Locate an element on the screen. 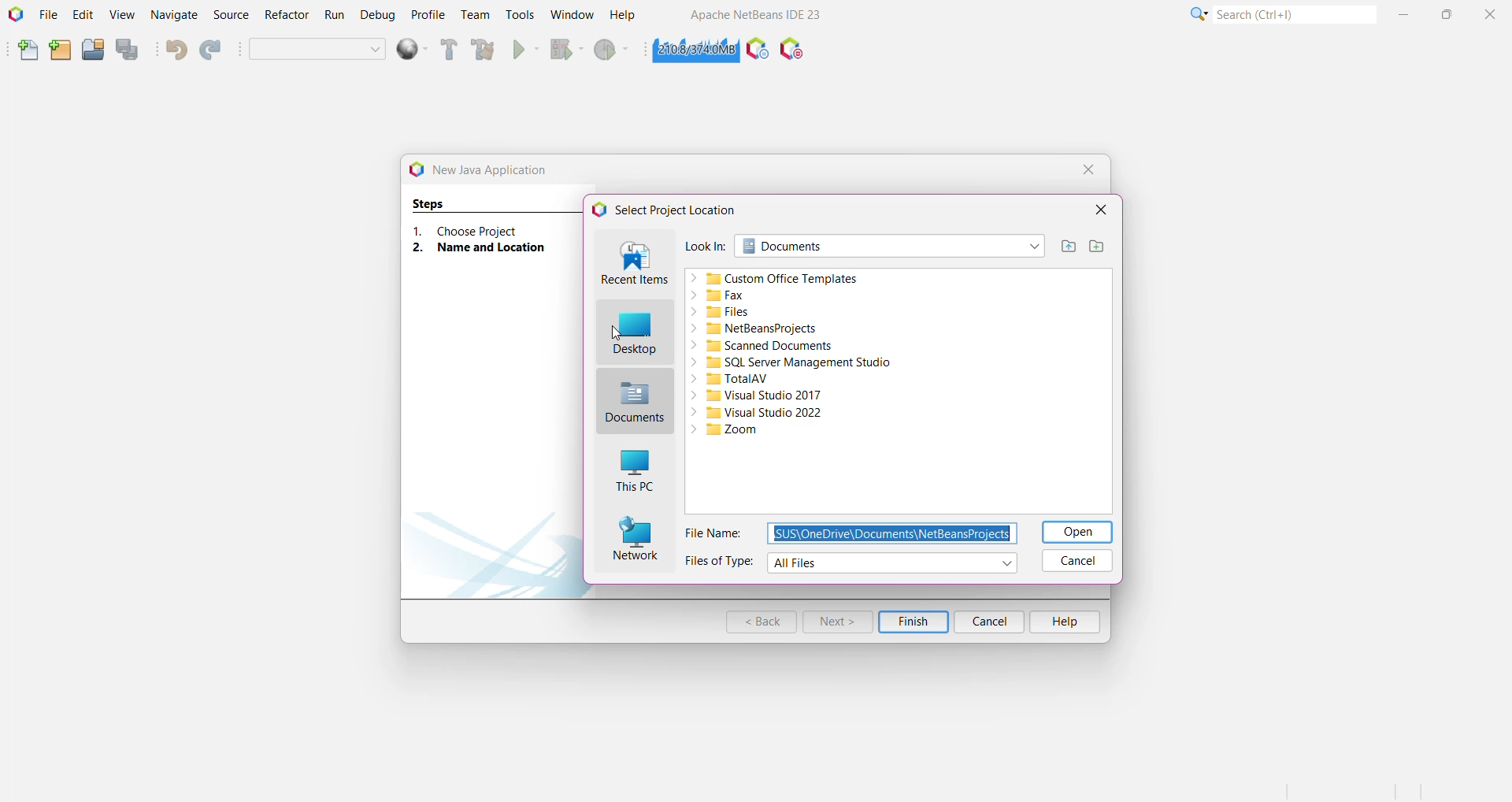  Profile Project is located at coordinates (613, 50).